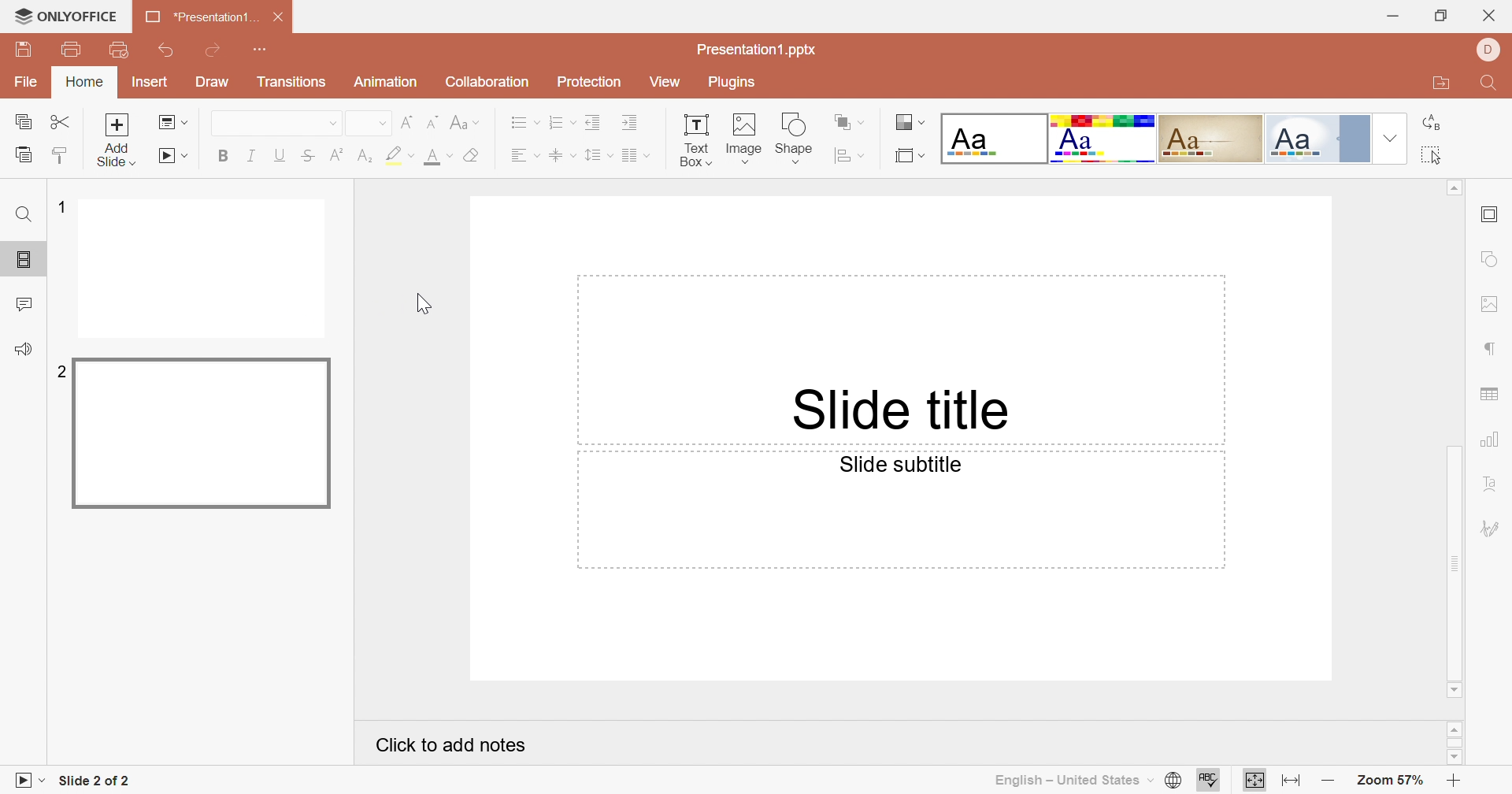 This screenshot has height=794, width=1512. What do you see at coordinates (841, 121) in the screenshot?
I see `Arrange shape` at bounding box center [841, 121].